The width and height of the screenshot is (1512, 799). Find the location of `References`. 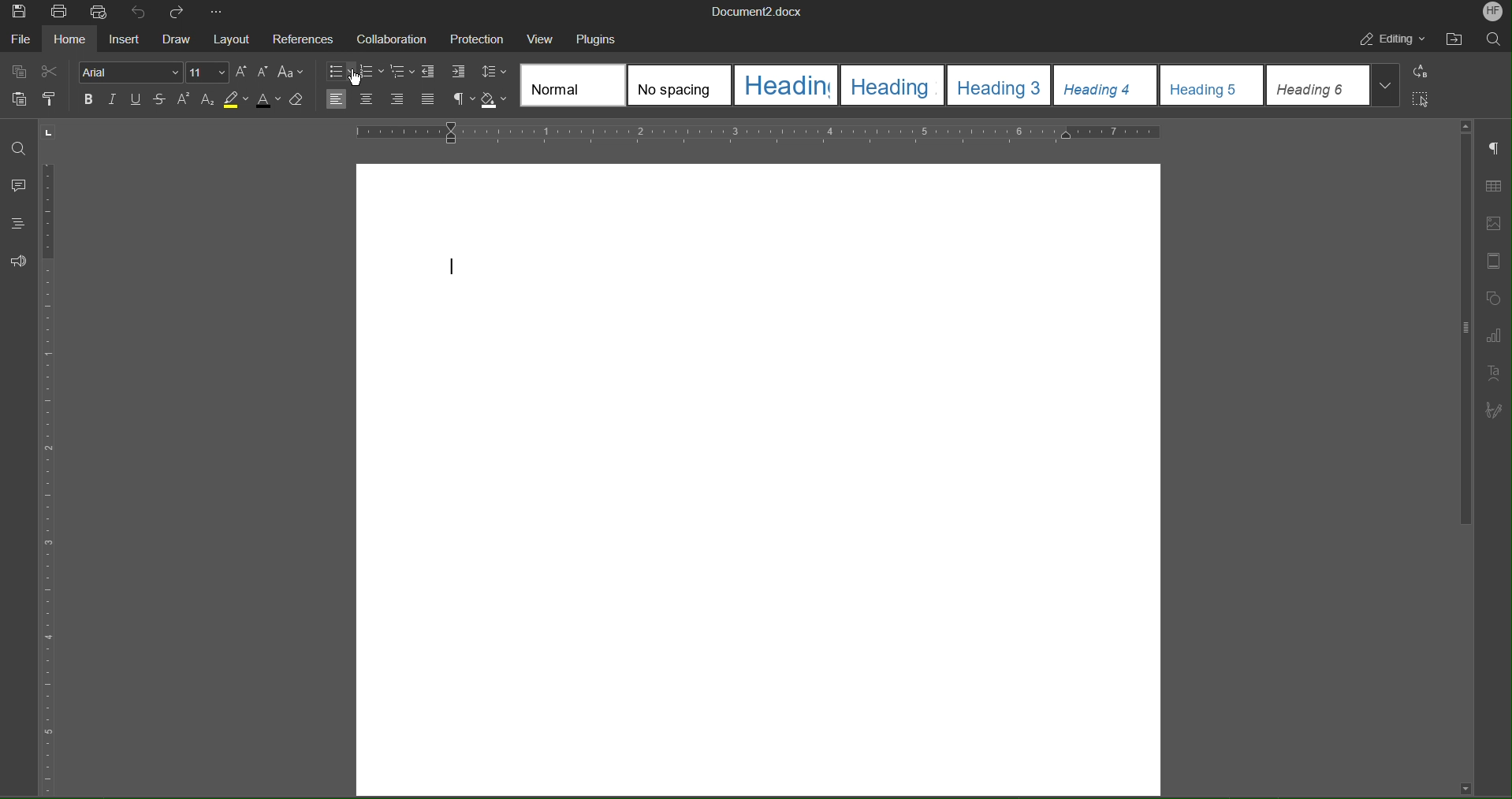

References is located at coordinates (307, 39).